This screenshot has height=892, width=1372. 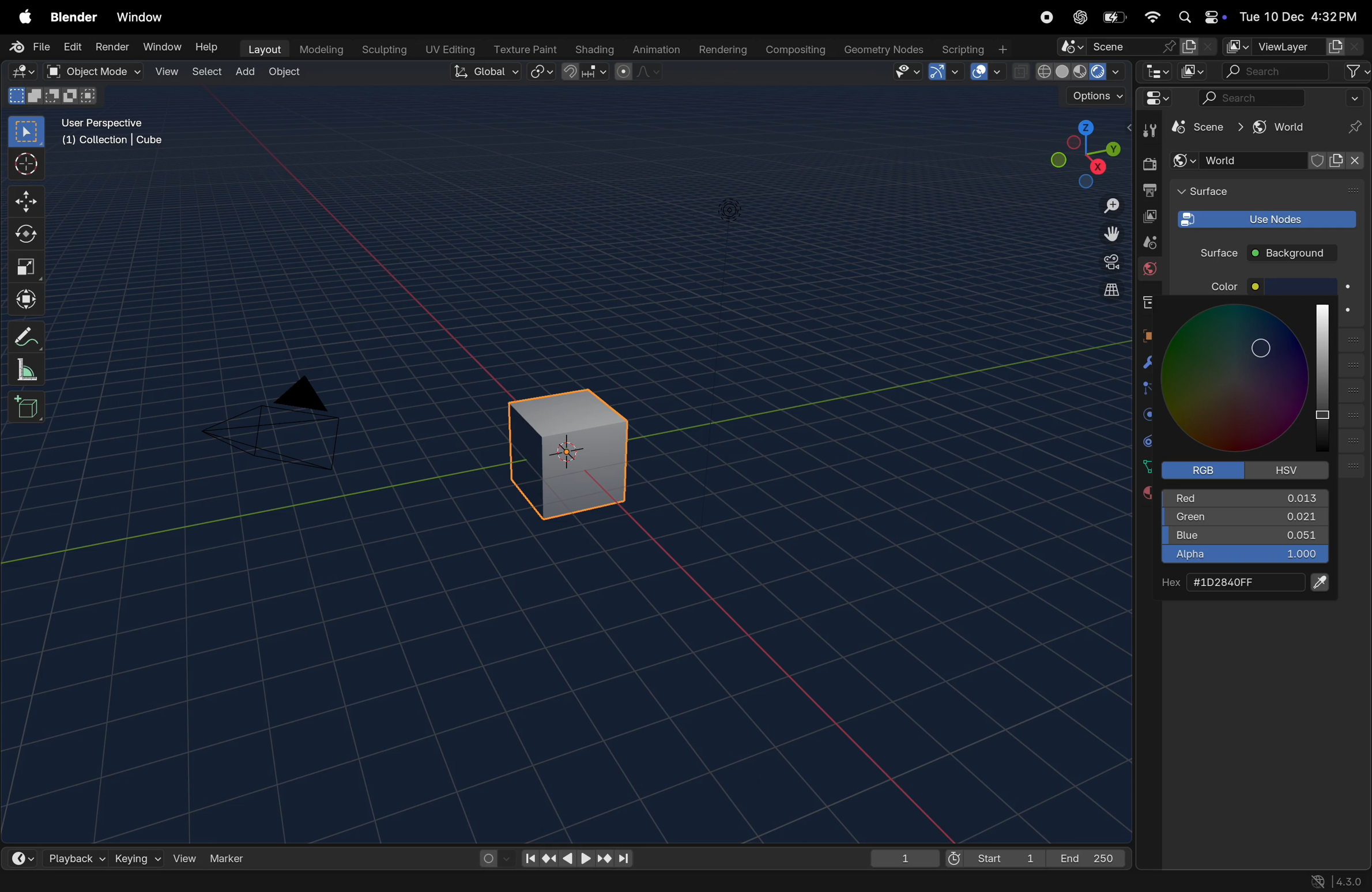 What do you see at coordinates (233, 857) in the screenshot?
I see `marker` at bounding box center [233, 857].